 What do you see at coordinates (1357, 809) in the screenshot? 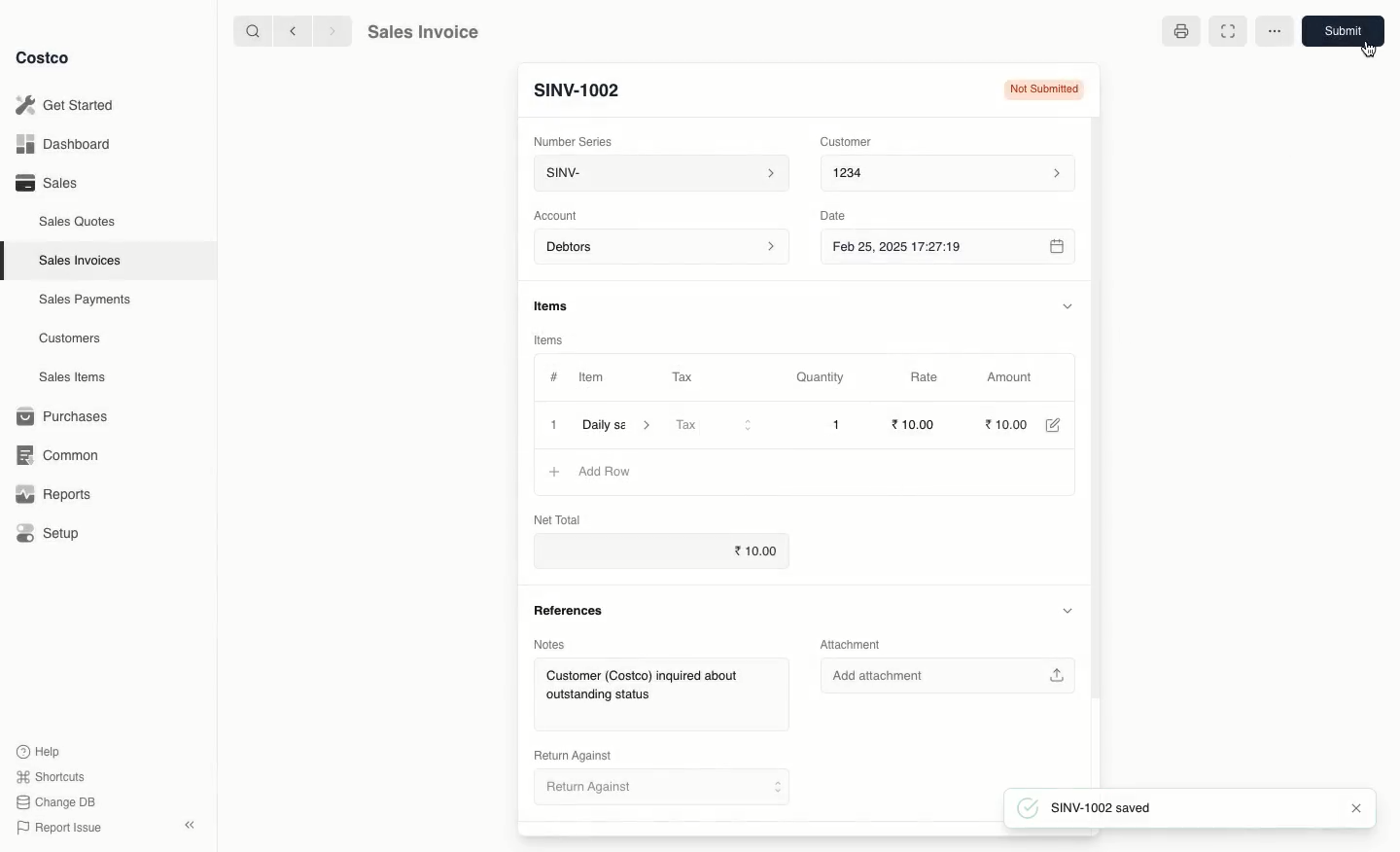
I see `Close` at bounding box center [1357, 809].